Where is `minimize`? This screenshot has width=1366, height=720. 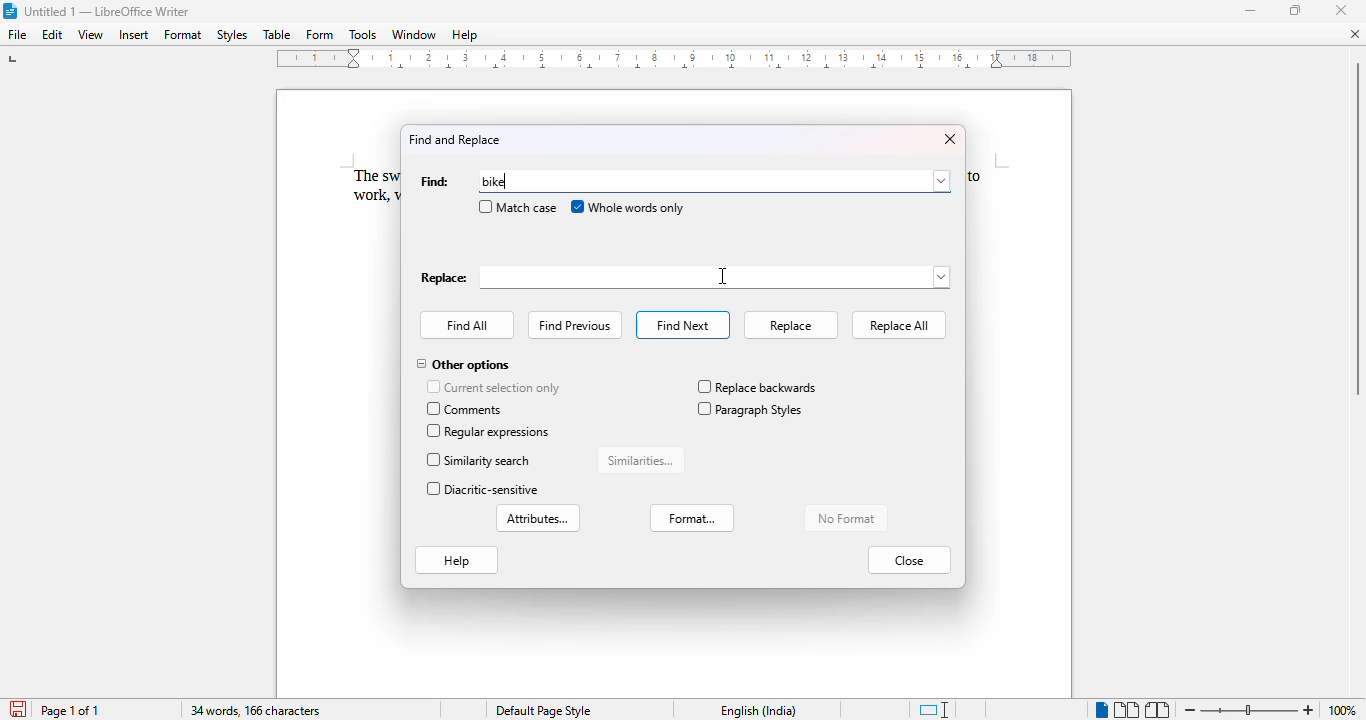 minimize is located at coordinates (1251, 10).